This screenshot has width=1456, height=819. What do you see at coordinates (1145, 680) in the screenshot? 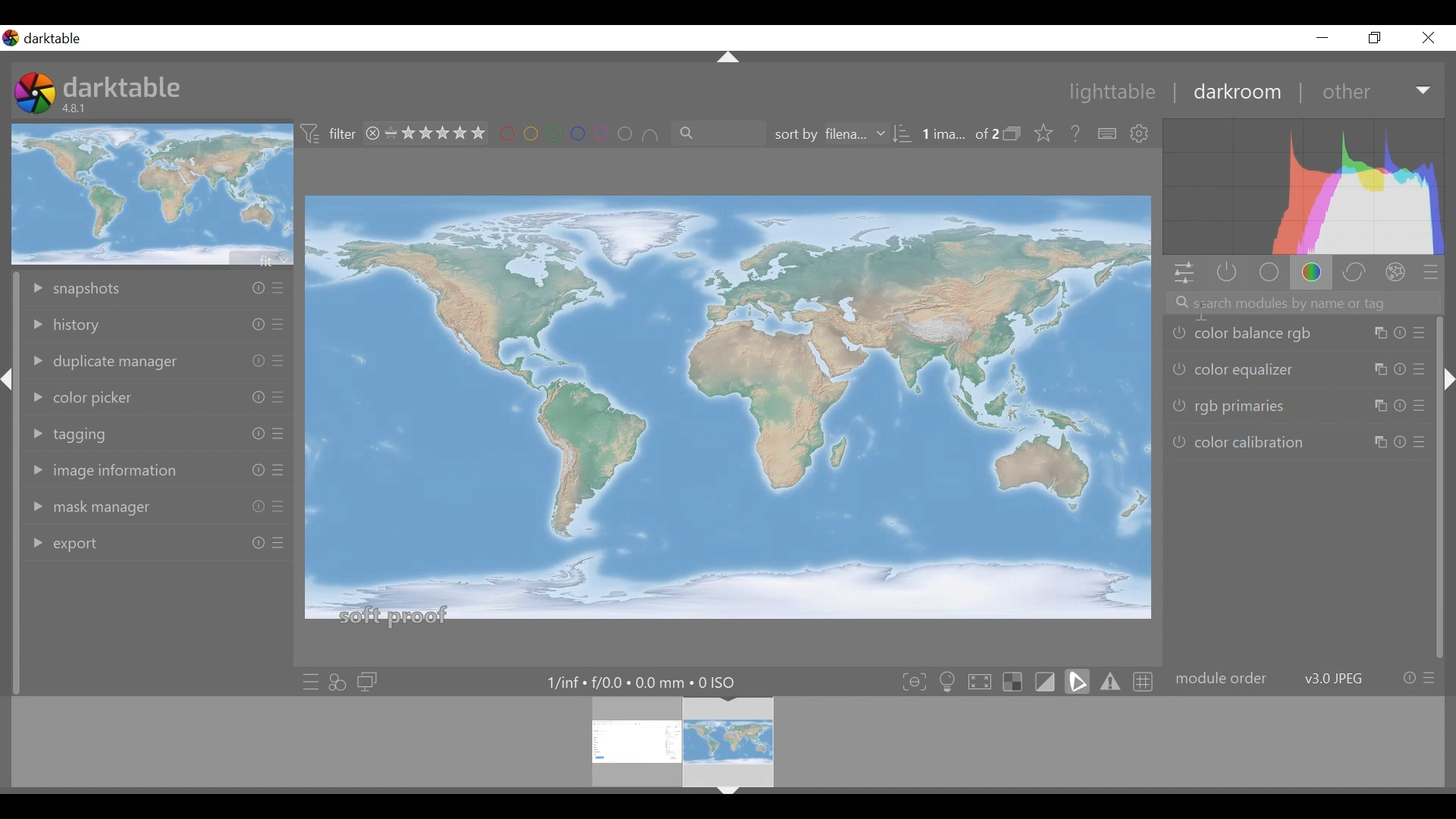
I see `toggle guide lines` at bounding box center [1145, 680].